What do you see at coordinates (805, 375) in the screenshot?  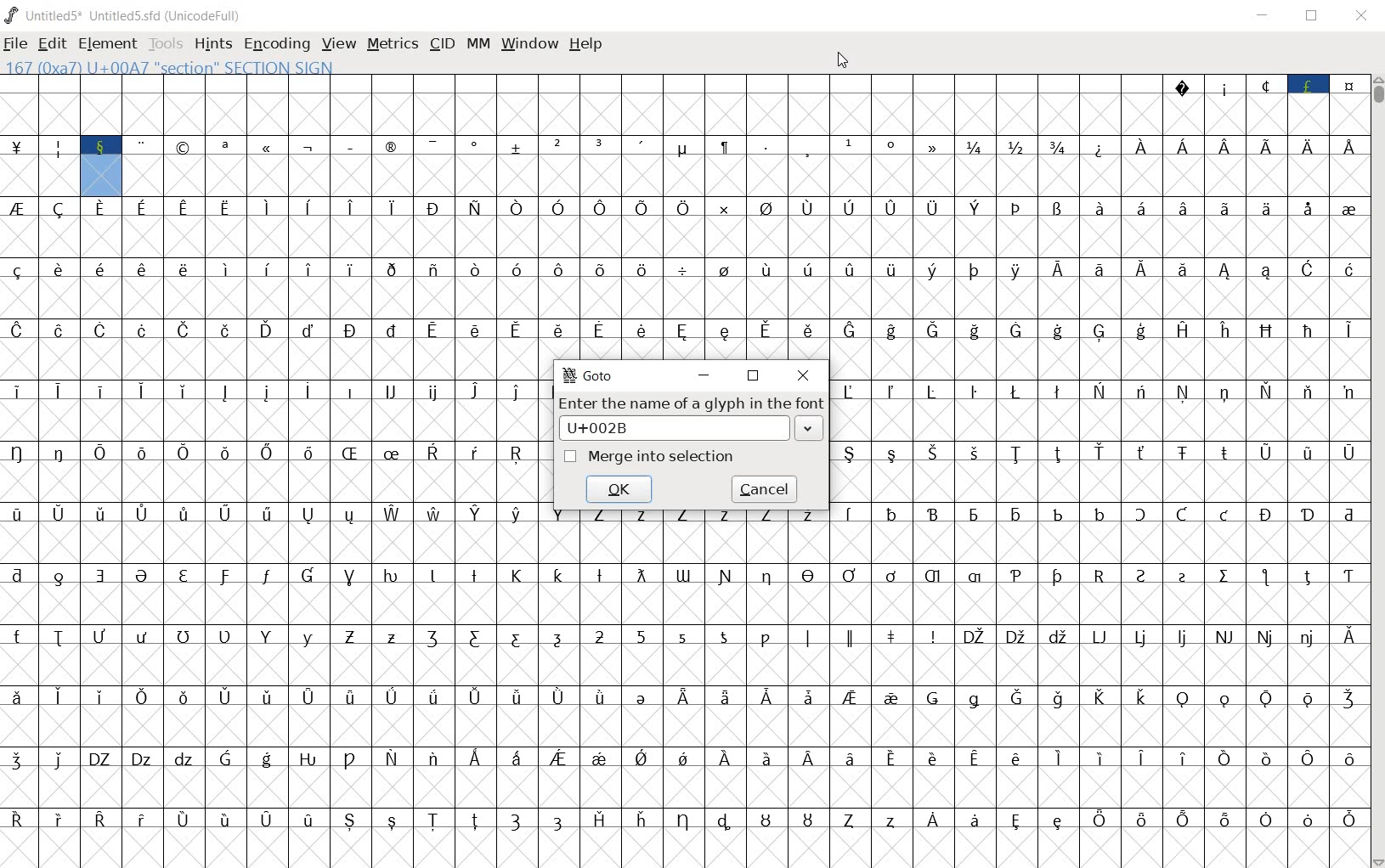 I see `close` at bounding box center [805, 375].